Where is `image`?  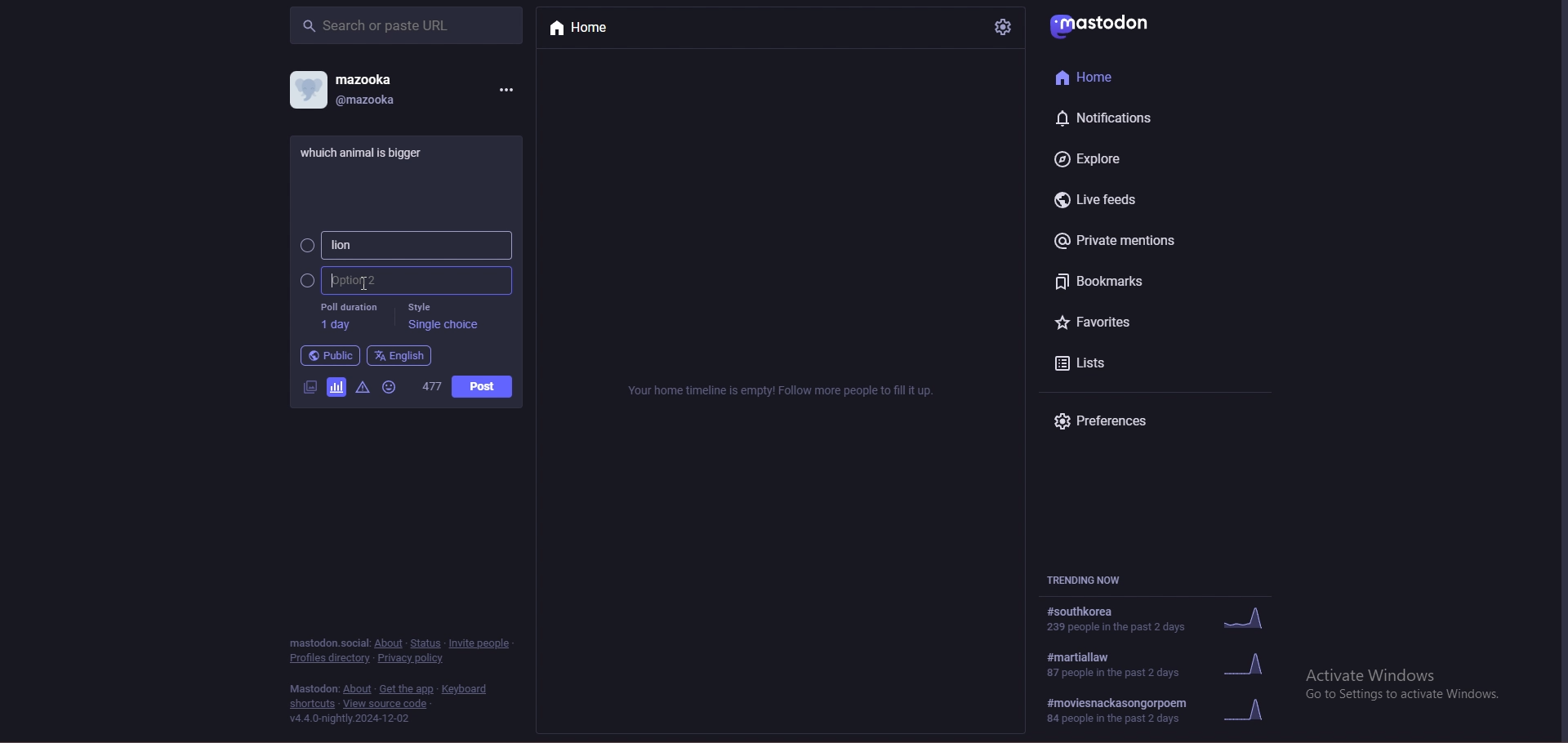
image is located at coordinates (308, 388).